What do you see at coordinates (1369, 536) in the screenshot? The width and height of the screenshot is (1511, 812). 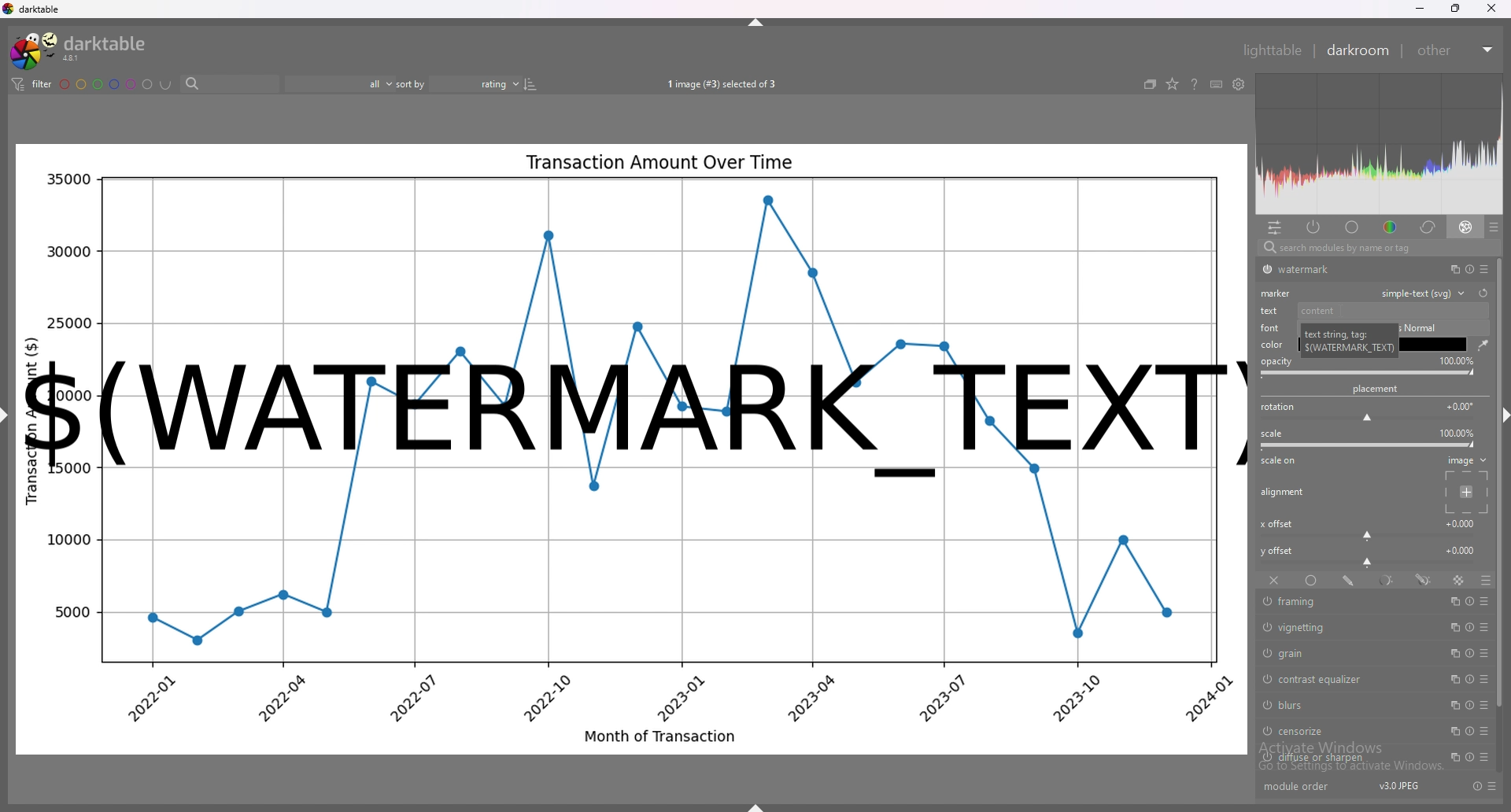 I see `x offset bar` at bounding box center [1369, 536].